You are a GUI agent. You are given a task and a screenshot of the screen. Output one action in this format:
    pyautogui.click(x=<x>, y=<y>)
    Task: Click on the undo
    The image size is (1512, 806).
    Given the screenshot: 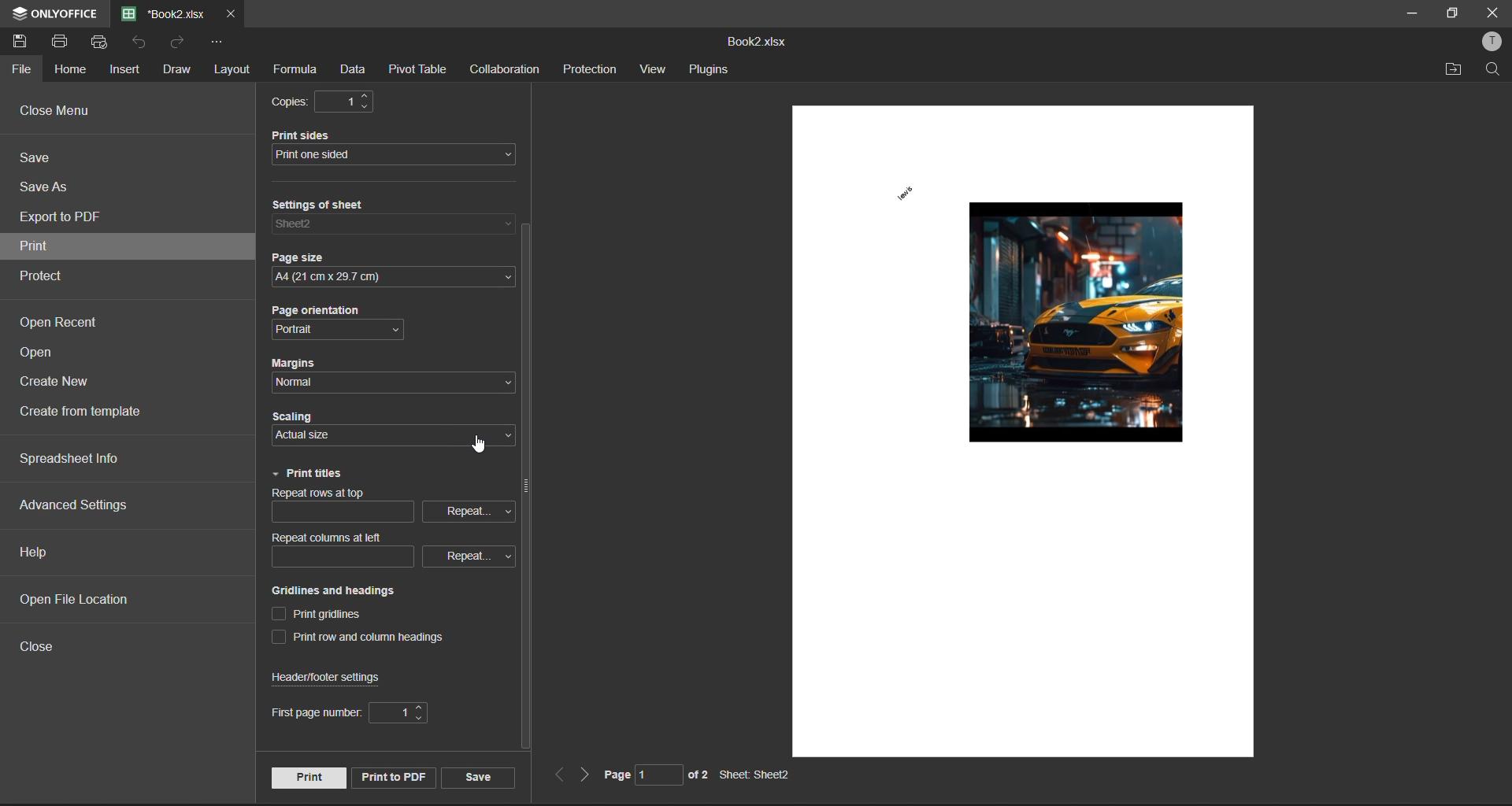 What is the action you would take?
    pyautogui.click(x=142, y=43)
    